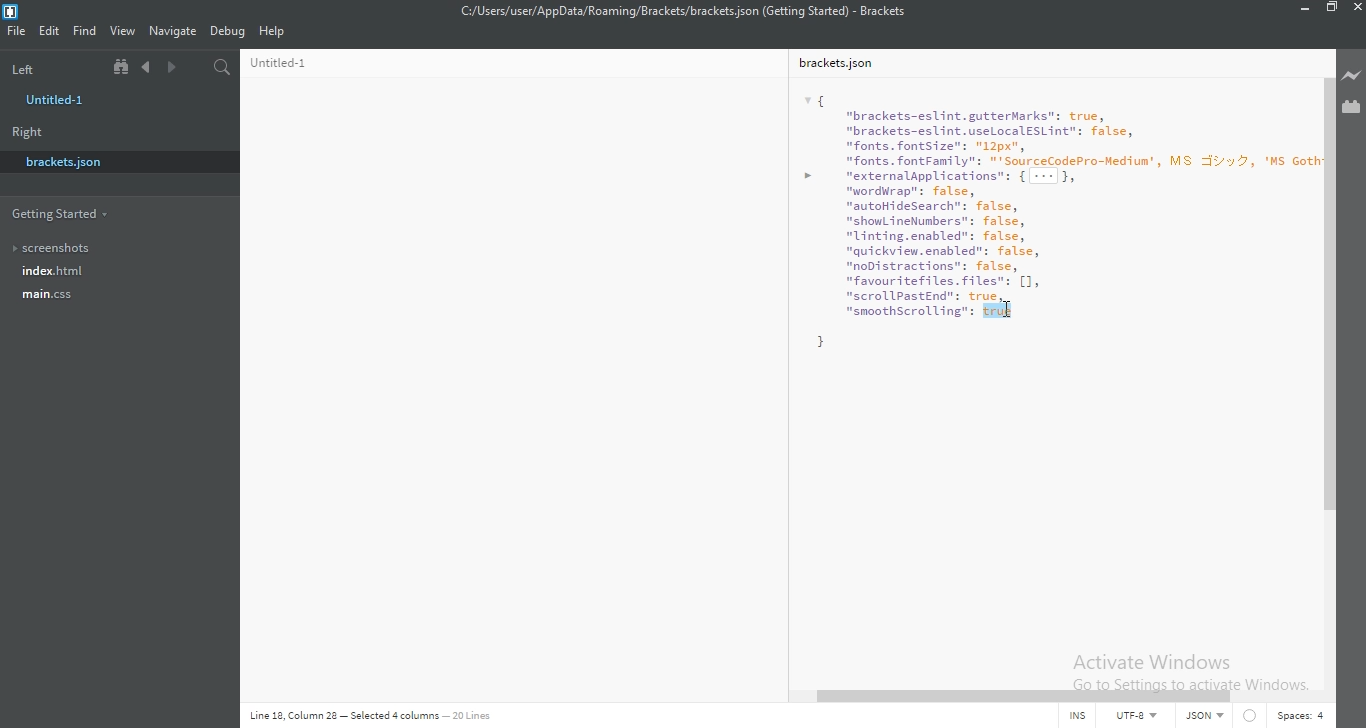 The width and height of the screenshot is (1366, 728). Describe the element at coordinates (1308, 718) in the screenshot. I see `Spaces:4` at that location.